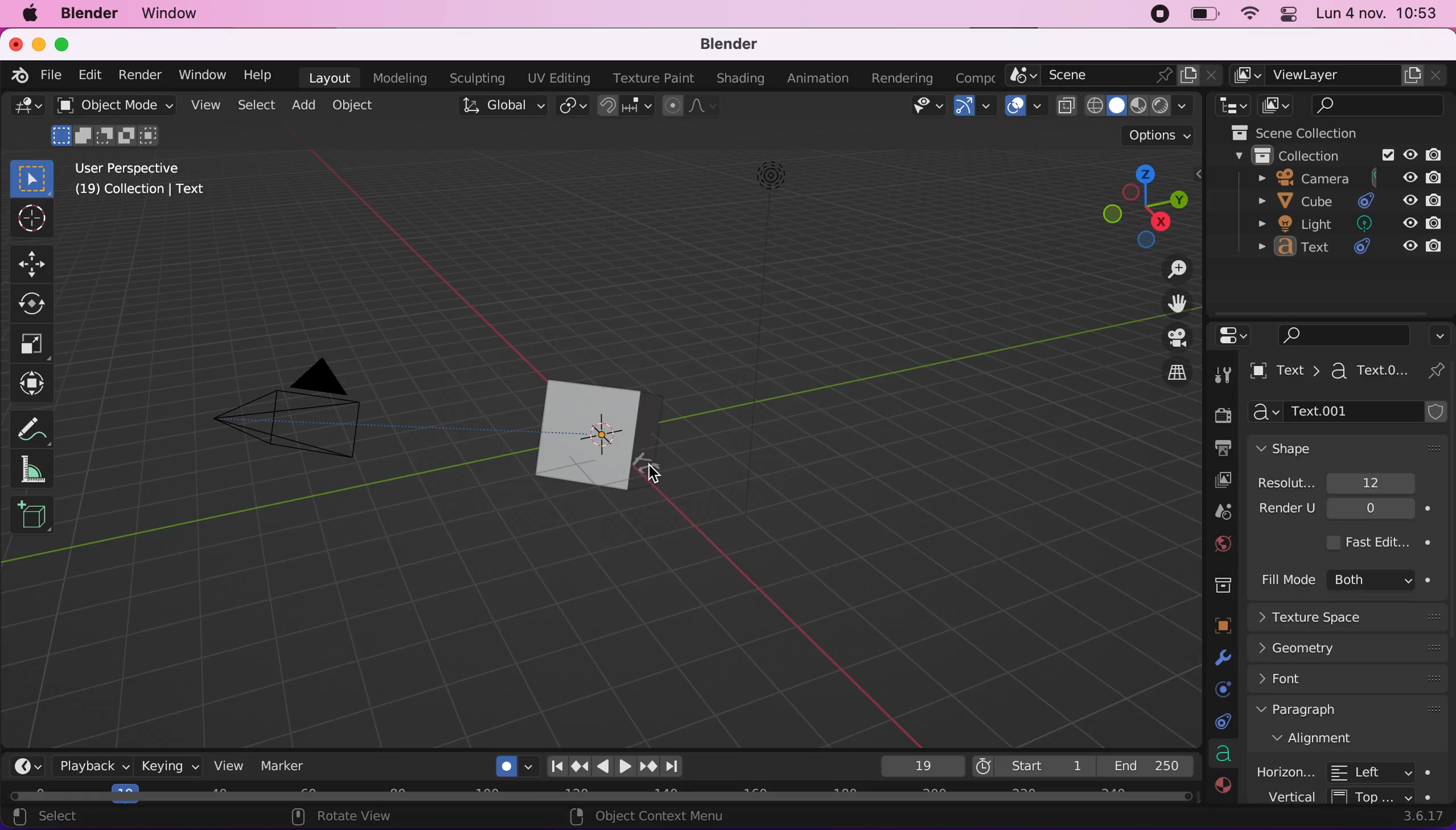 The width and height of the screenshot is (1456, 830). What do you see at coordinates (360, 106) in the screenshot?
I see `object` at bounding box center [360, 106].